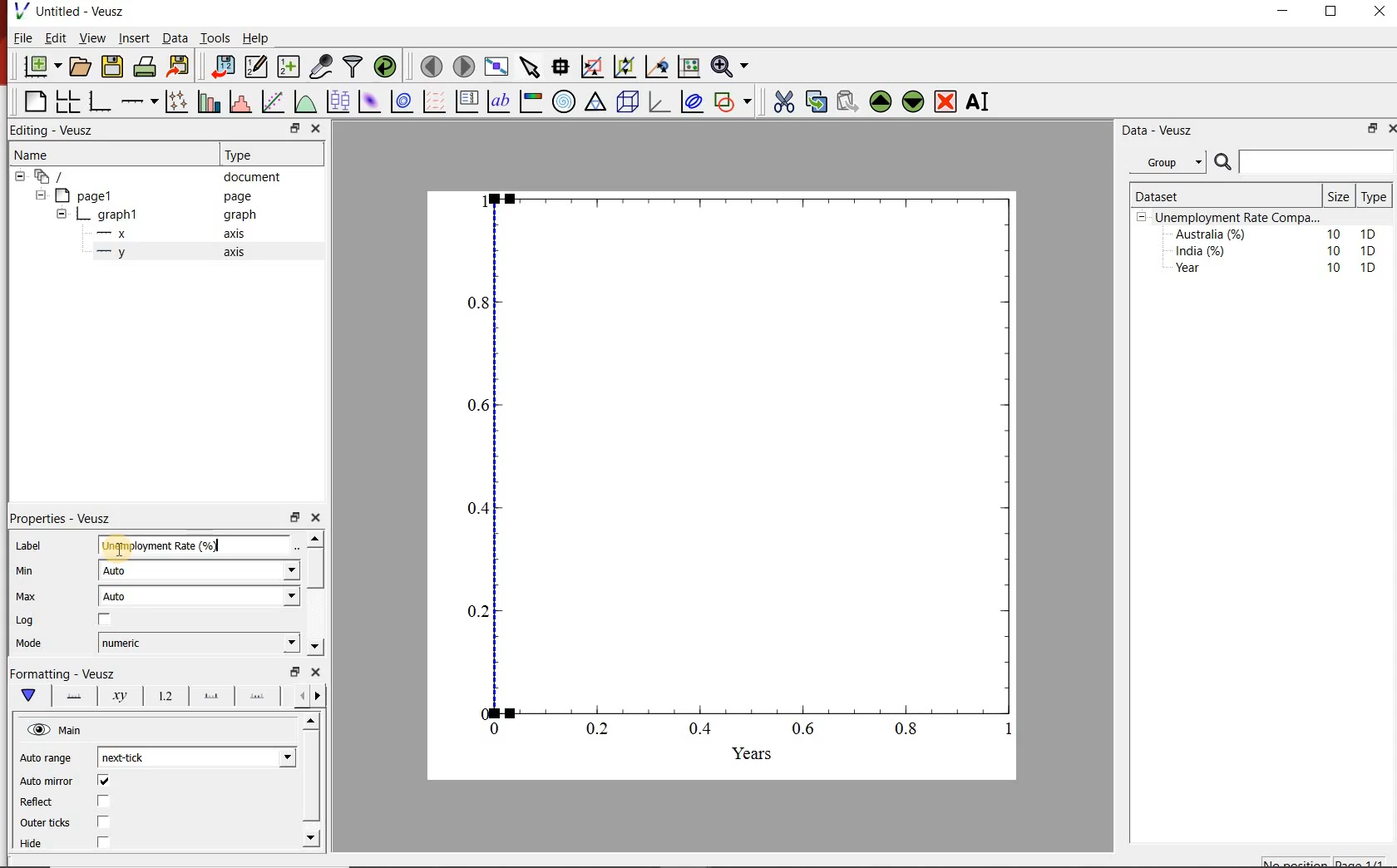 The image size is (1397, 868). I want to click on Data, so click(175, 38).